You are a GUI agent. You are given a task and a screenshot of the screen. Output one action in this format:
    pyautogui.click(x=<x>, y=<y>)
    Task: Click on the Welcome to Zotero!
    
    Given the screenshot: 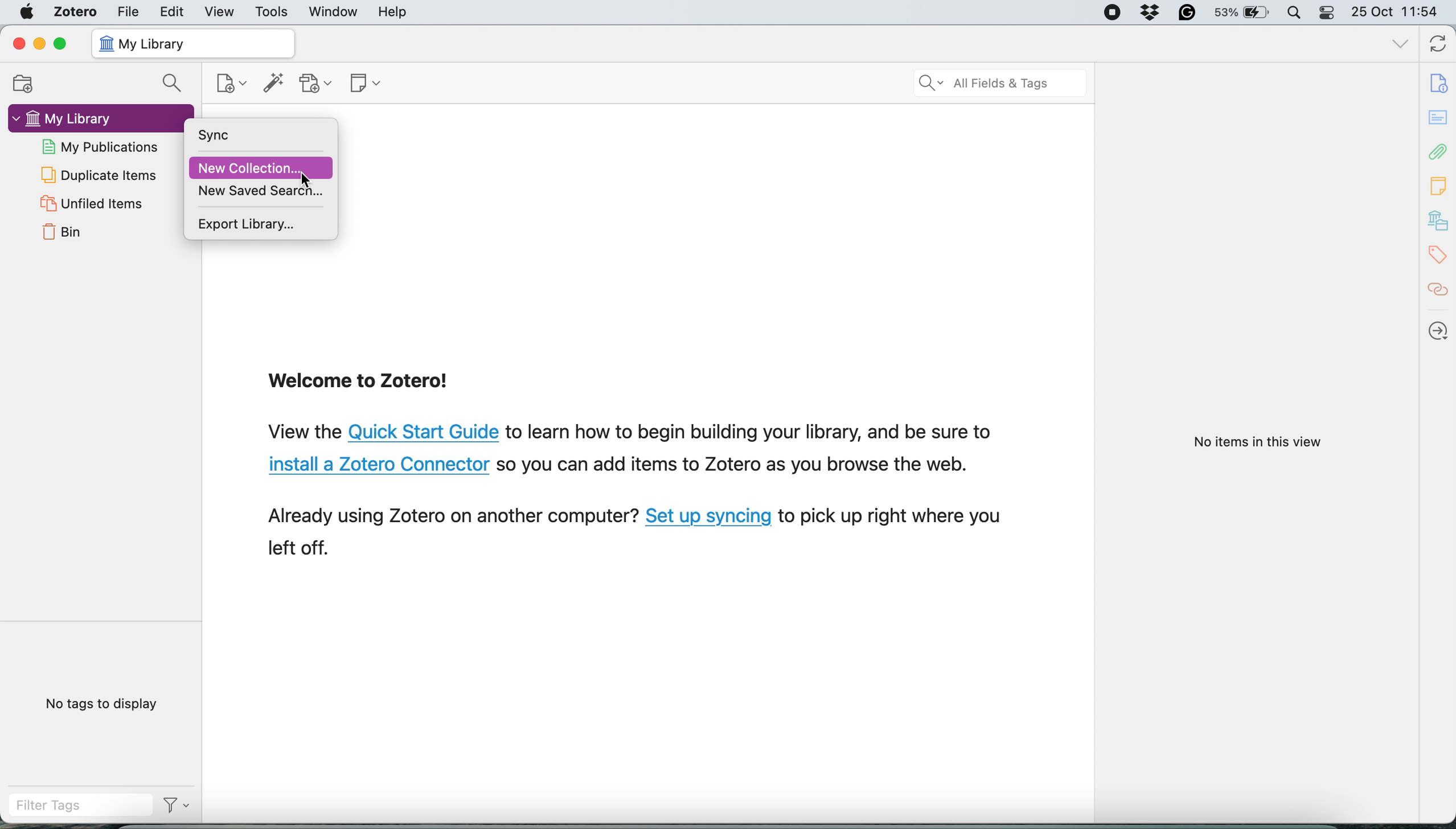 What is the action you would take?
    pyautogui.click(x=360, y=384)
    